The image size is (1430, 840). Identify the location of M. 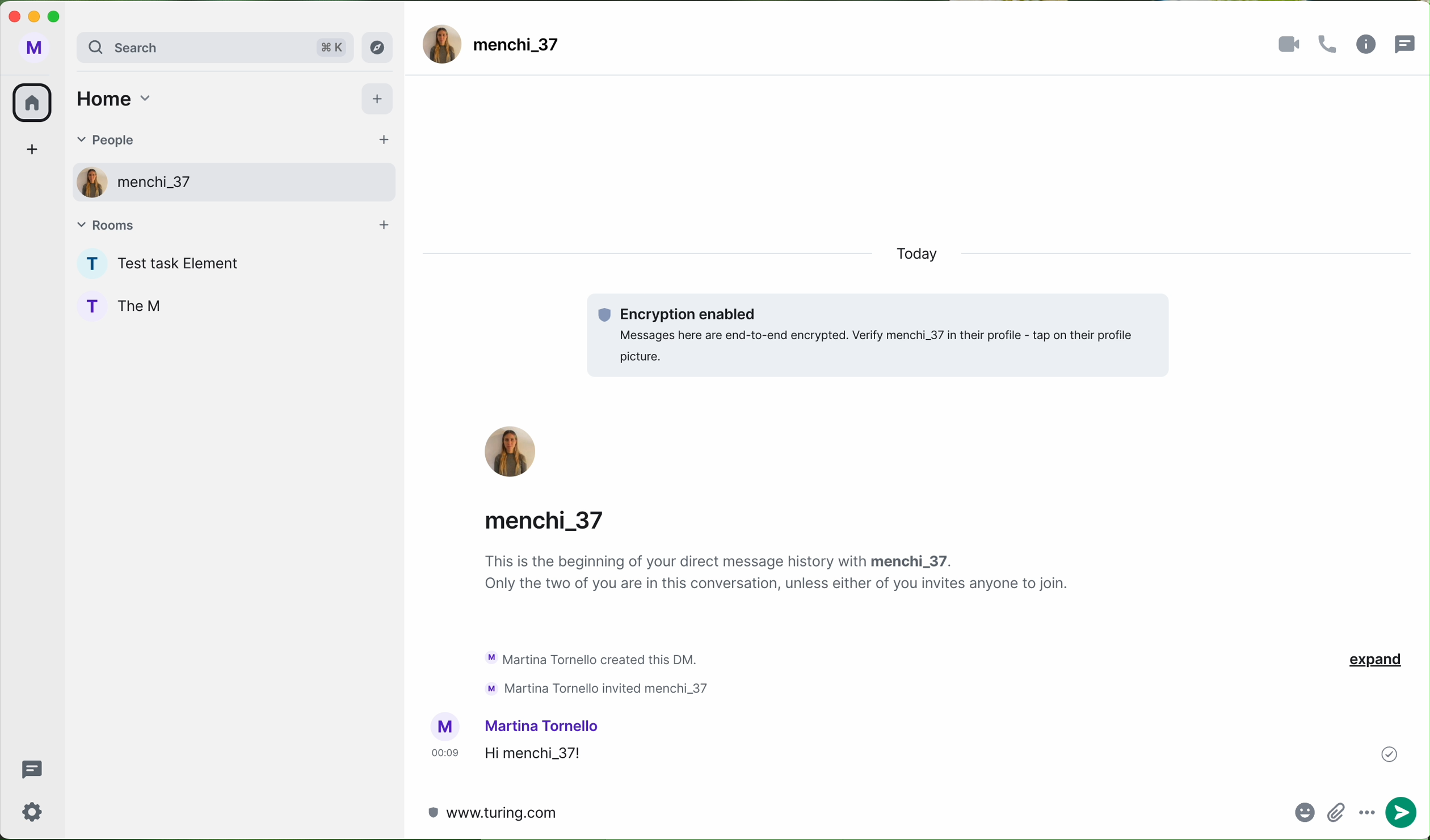
(34, 50).